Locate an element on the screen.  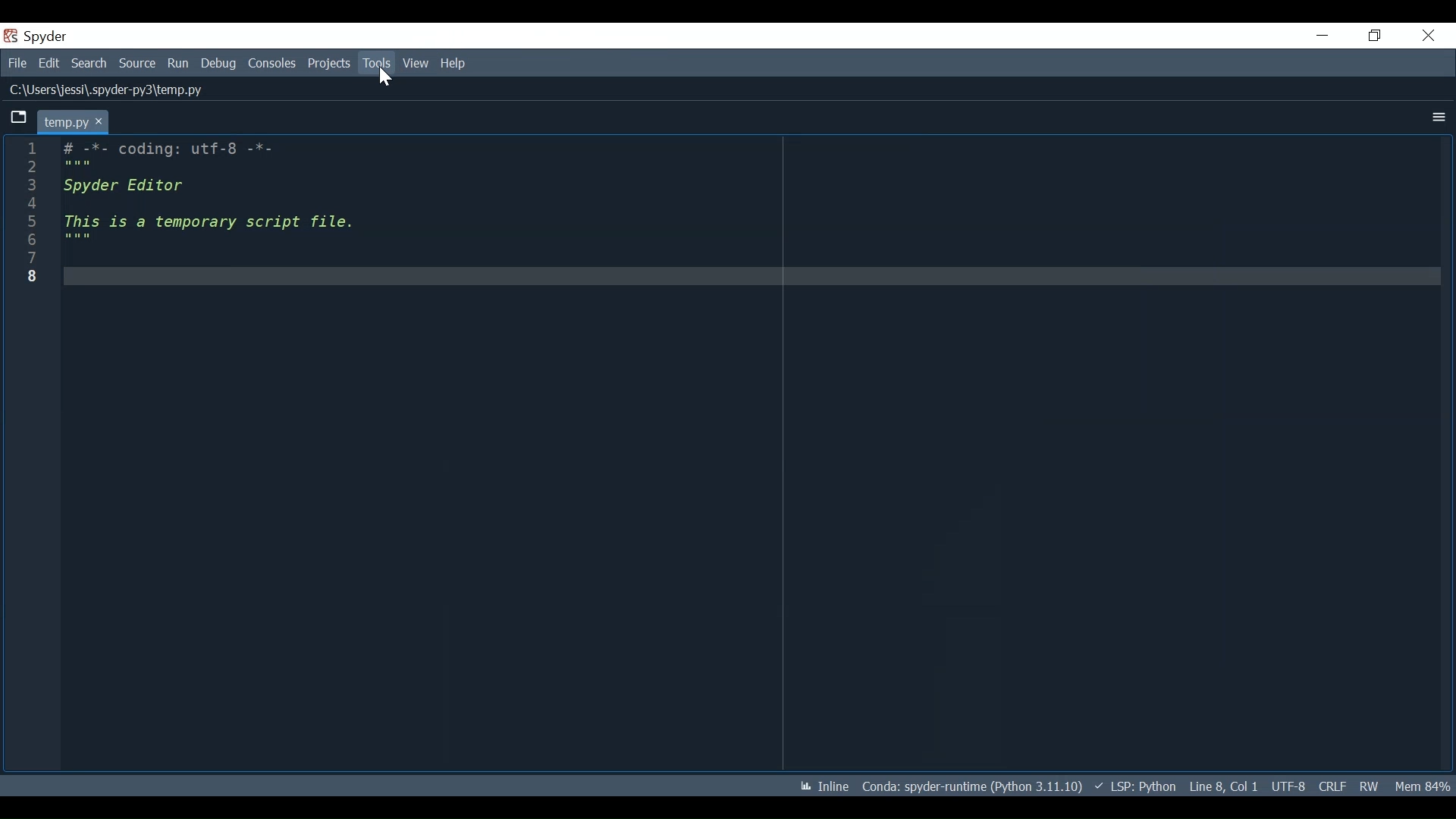
Memory Usage is located at coordinates (1422, 786).